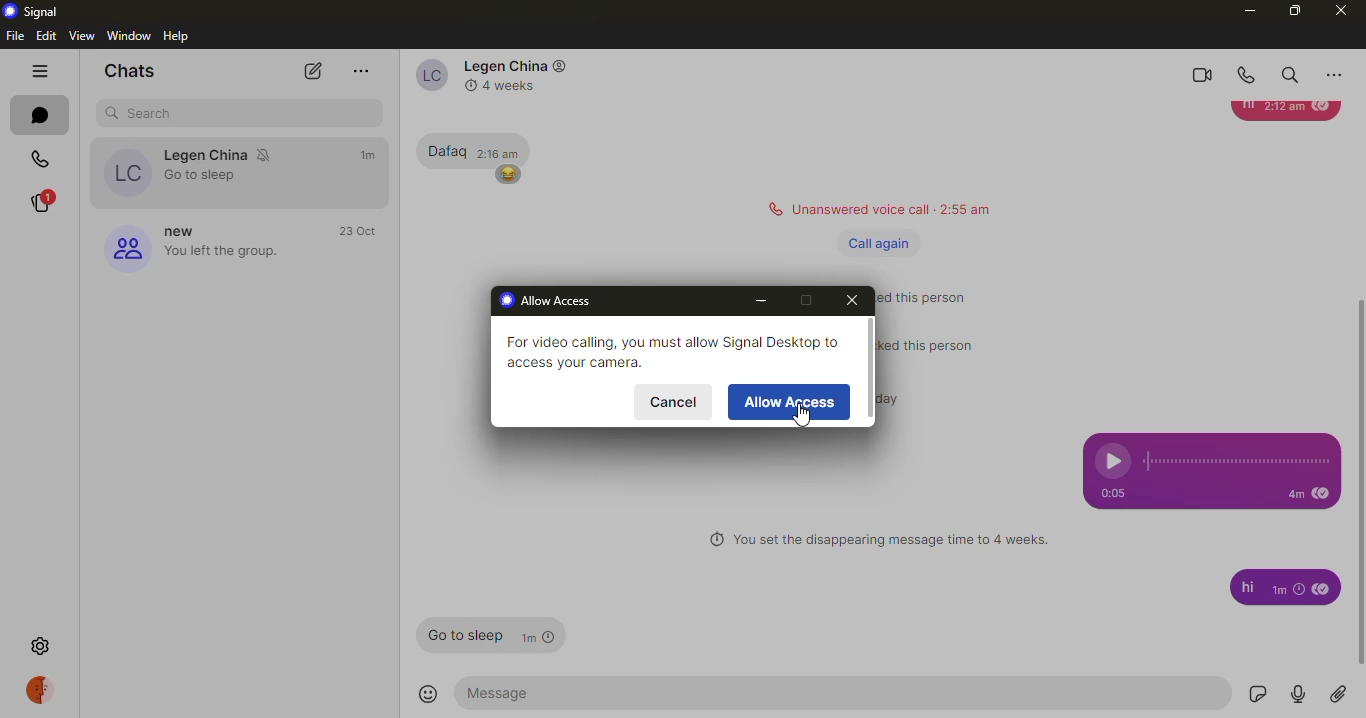 This screenshot has width=1366, height=718. Describe the element at coordinates (1339, 692) in the screenshot. I see `attach` at that location.